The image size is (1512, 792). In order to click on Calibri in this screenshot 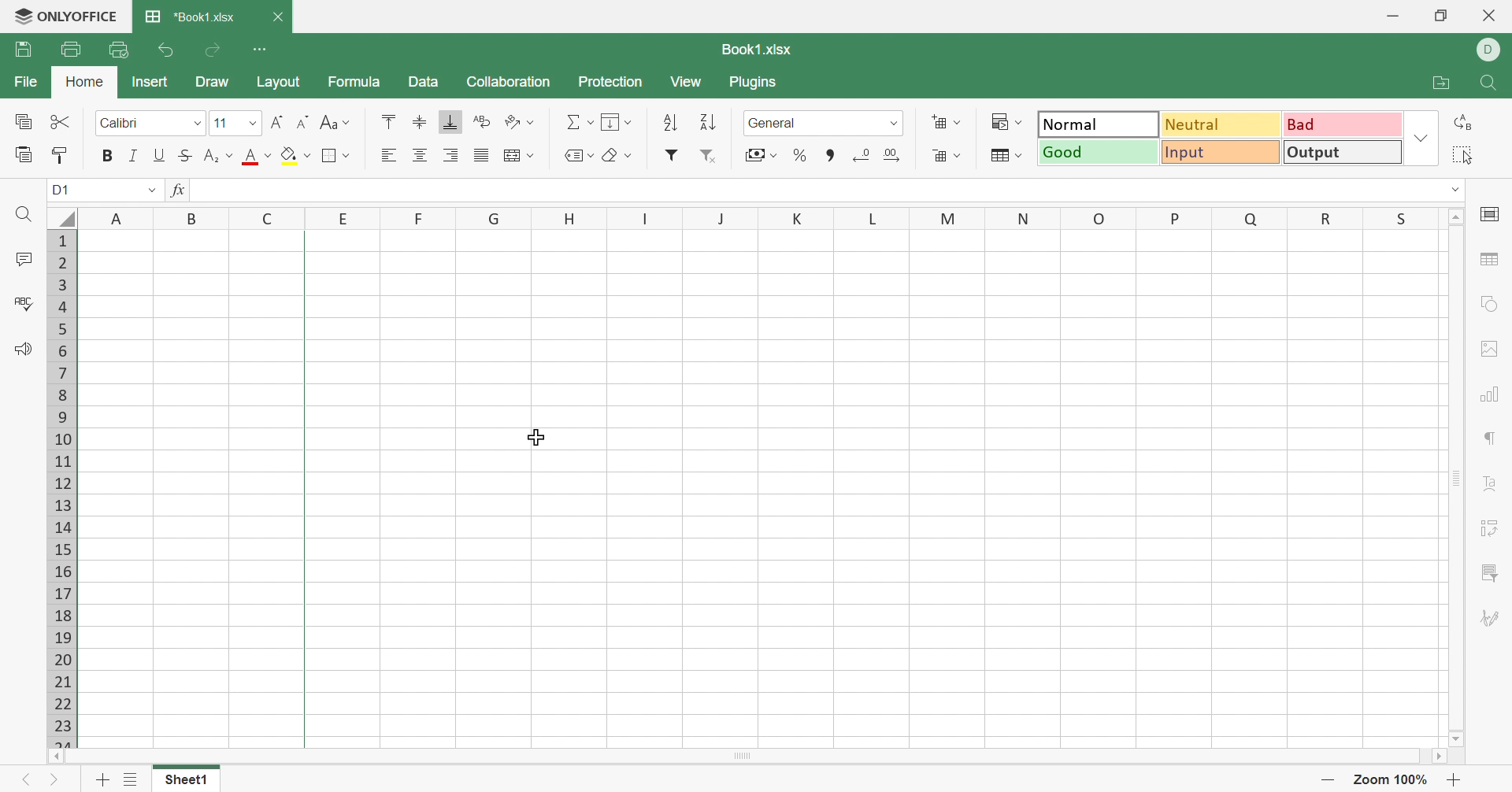, I will do `click(126, 121)`.